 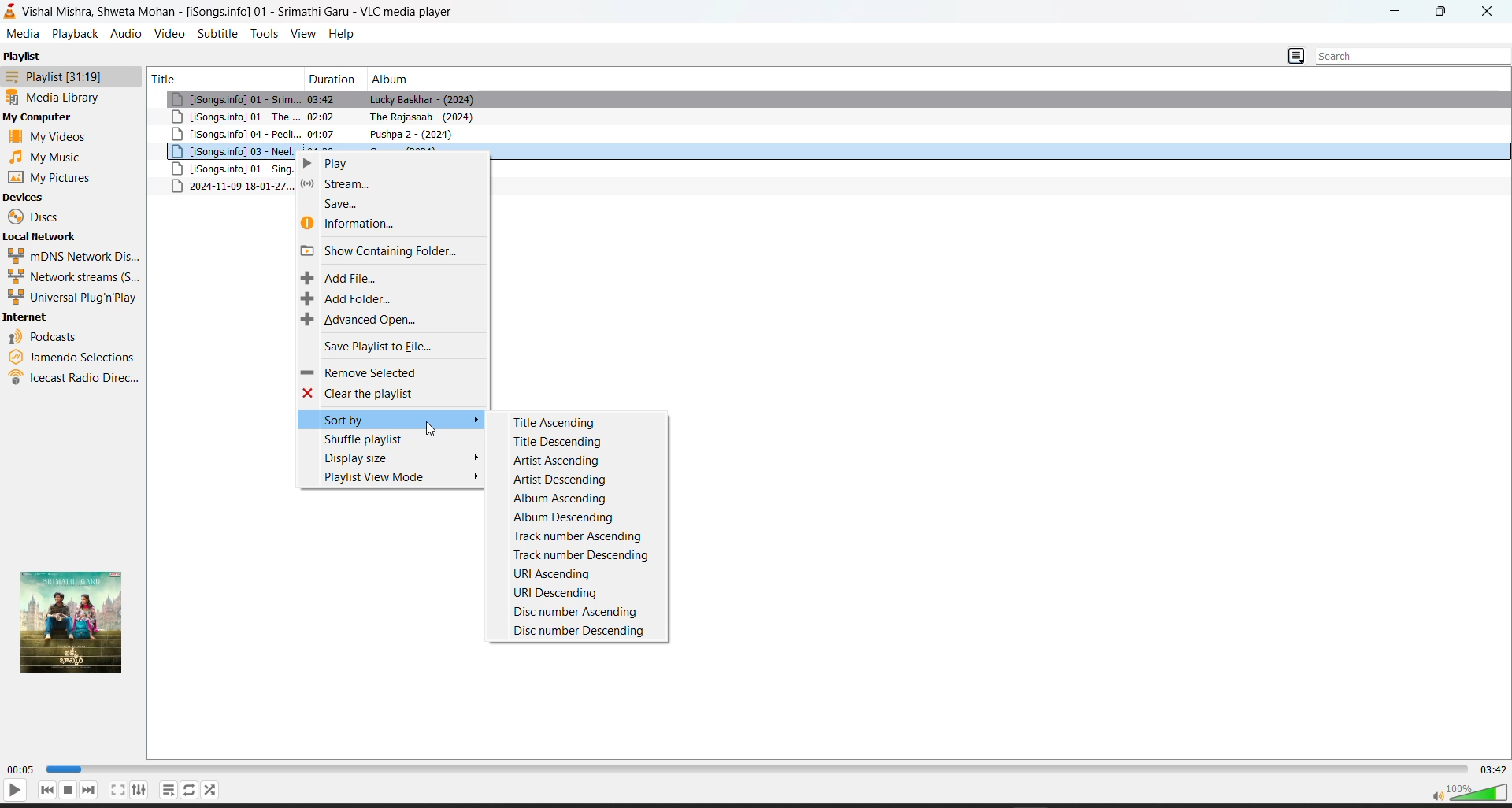 What do you see at coordinates (392, 183) in the screenshot?
I see `stream` at bounding box center [392, 183].